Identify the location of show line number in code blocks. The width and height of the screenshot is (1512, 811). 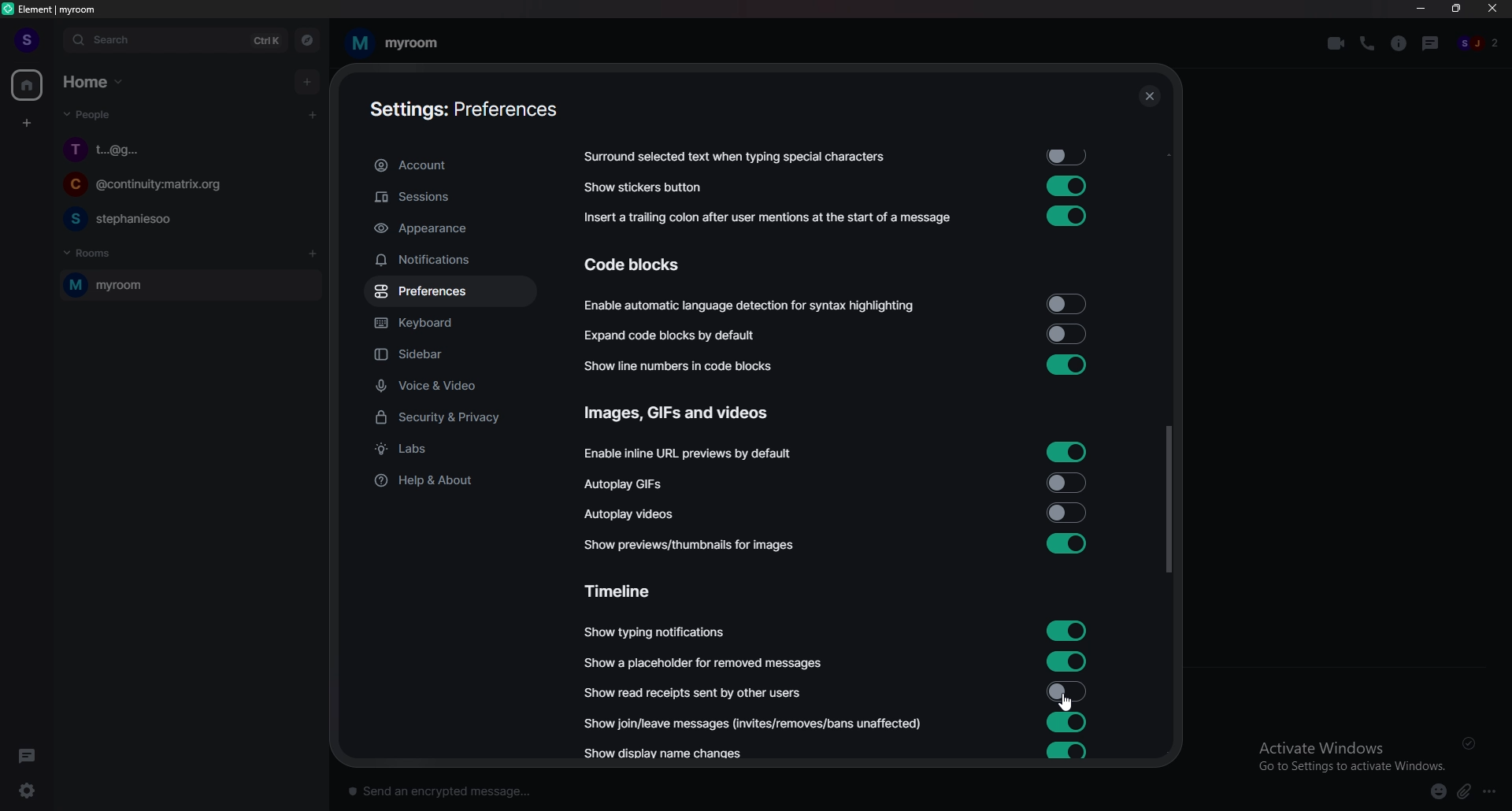
(687, 365).